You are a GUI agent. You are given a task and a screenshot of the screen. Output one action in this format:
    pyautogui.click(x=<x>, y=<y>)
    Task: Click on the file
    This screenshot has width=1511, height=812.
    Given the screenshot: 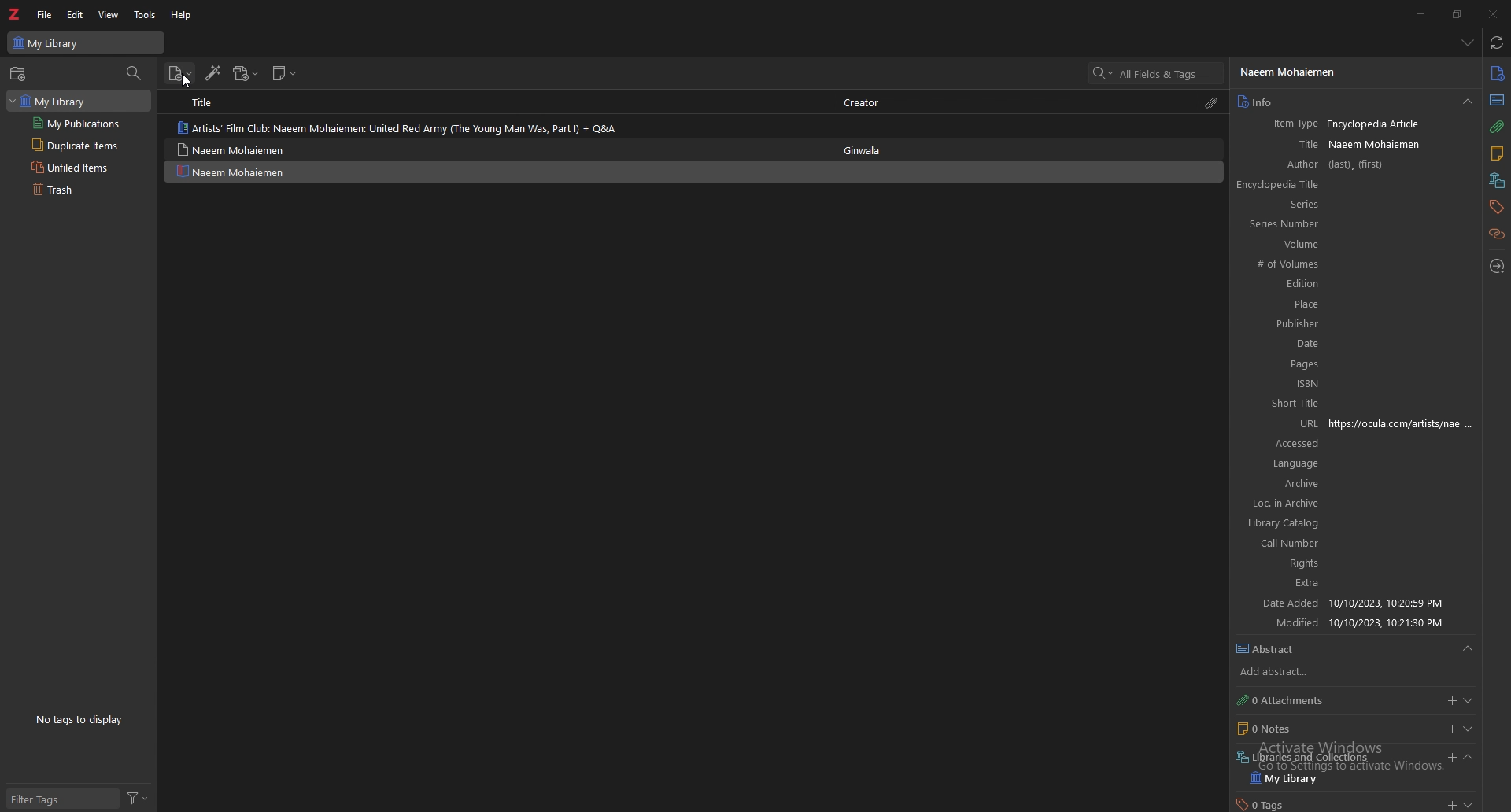 What is the action you would take?
    pyautogui.click(x=46, y=14)
    